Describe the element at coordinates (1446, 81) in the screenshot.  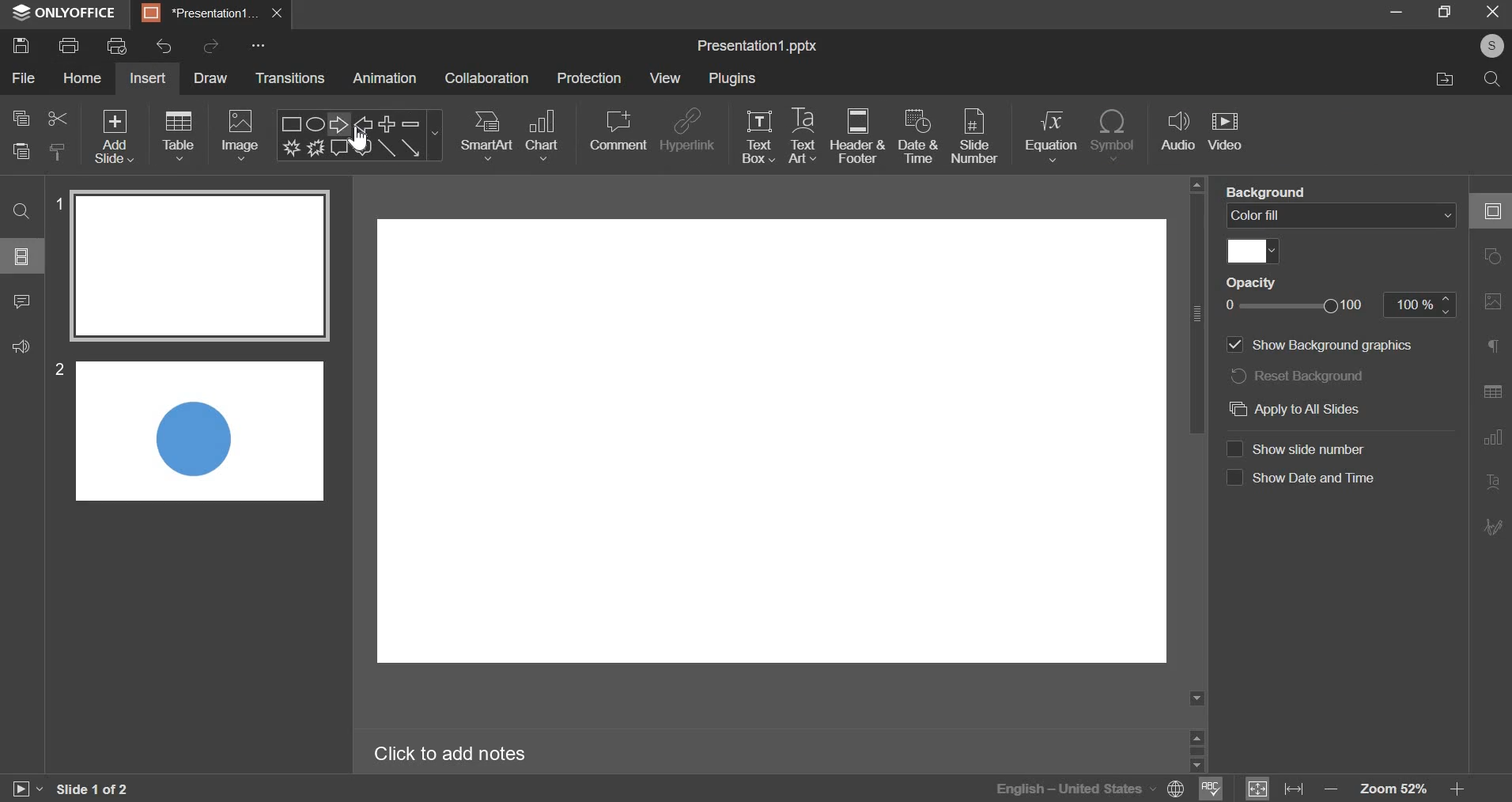
I see `file location` at that location.